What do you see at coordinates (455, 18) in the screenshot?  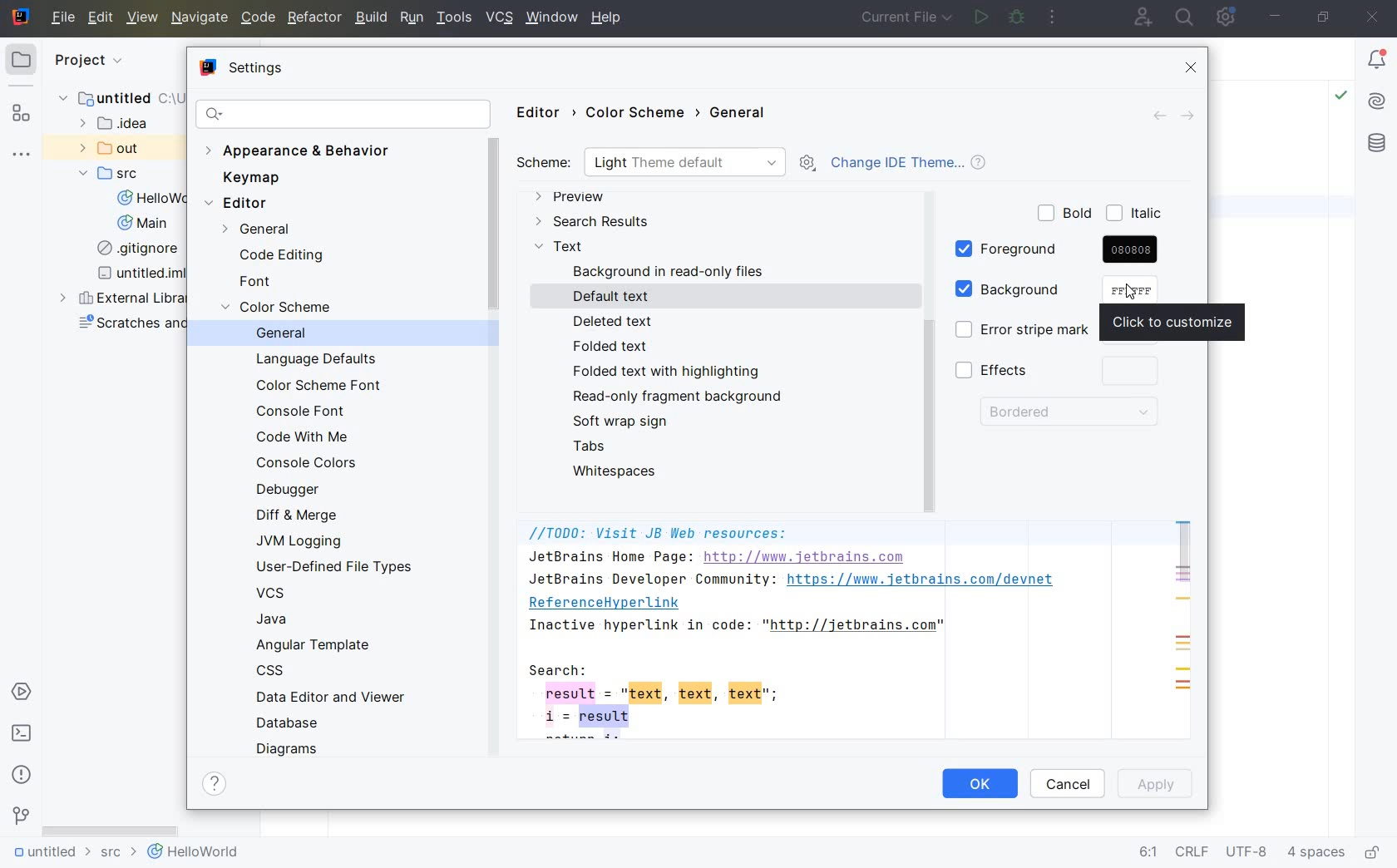 I see `TOOLS` at bounding box center [455, 18].